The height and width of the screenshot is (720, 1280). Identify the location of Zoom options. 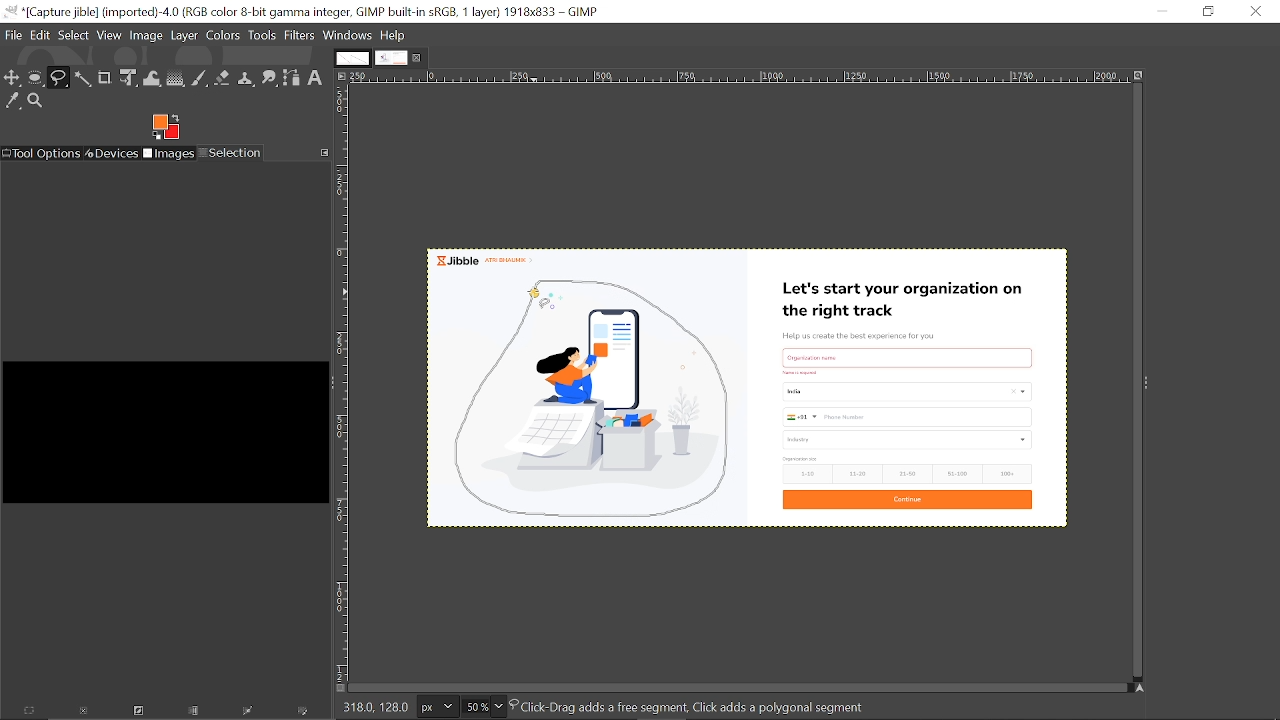
(499, 707).